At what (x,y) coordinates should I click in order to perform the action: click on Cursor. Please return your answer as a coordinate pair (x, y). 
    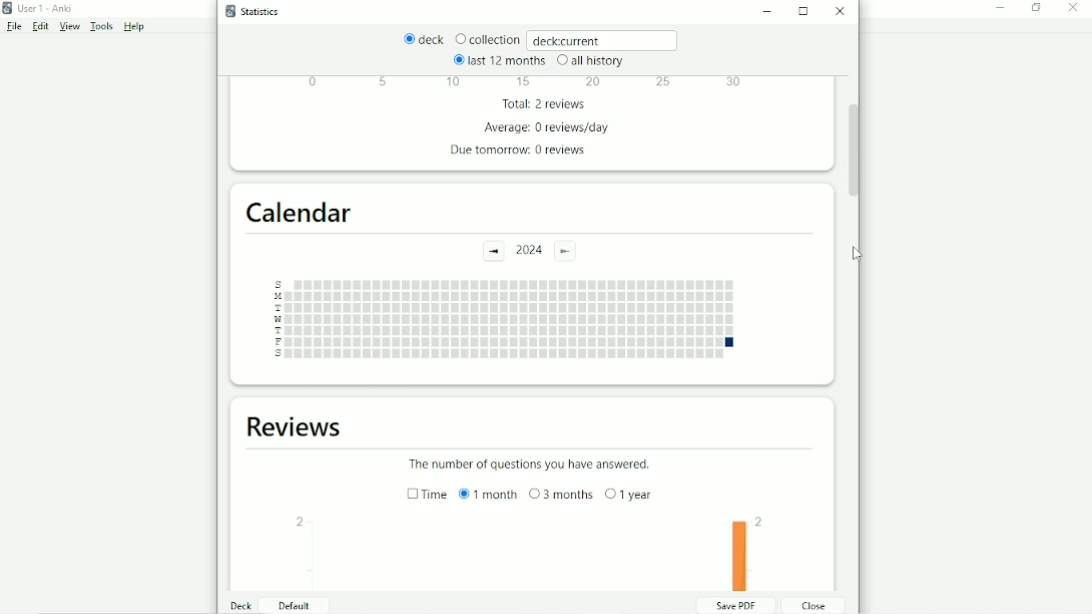
    Looking at the image, I should click on (855, 255).